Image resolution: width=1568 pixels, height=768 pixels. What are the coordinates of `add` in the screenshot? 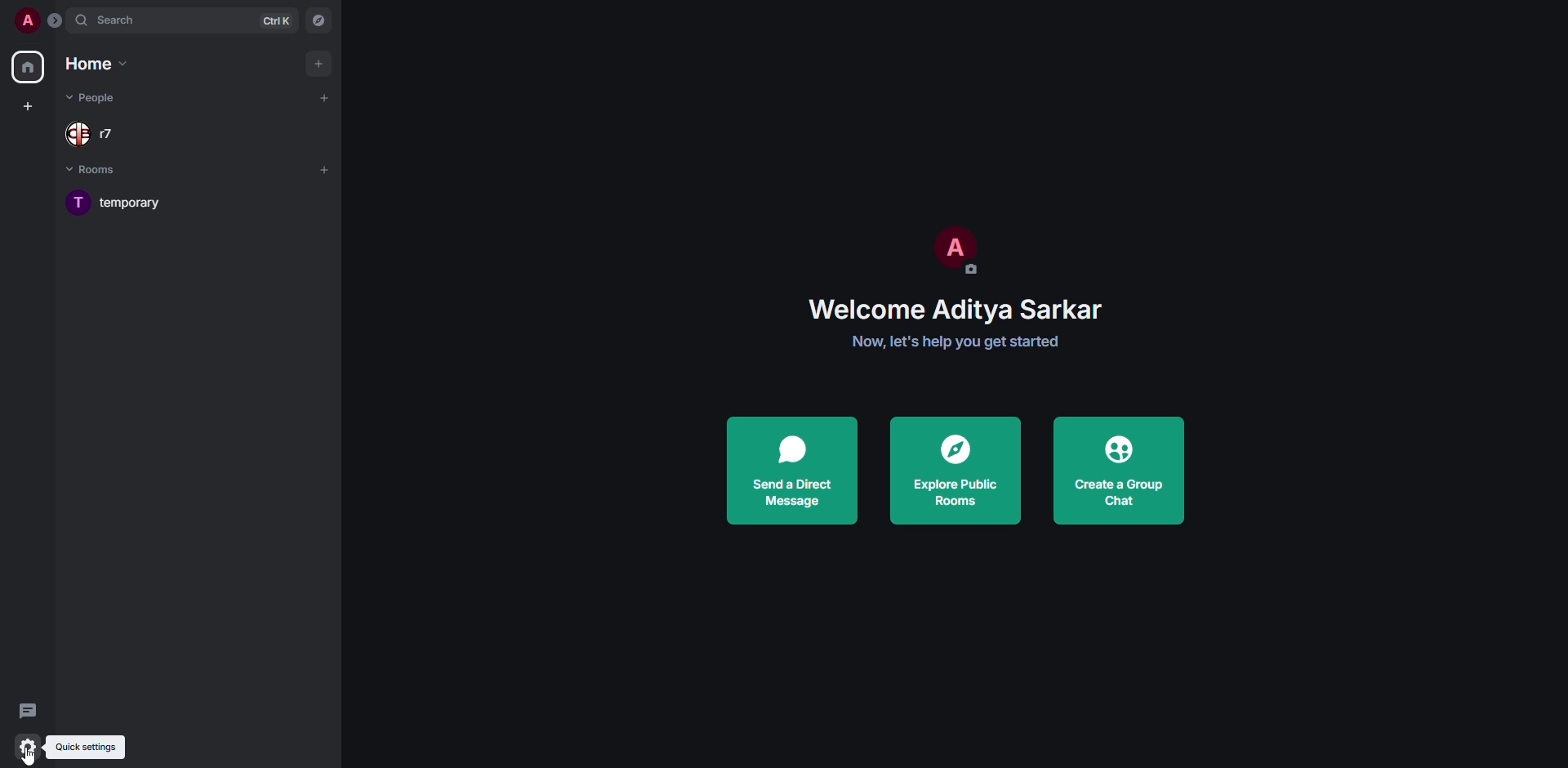 It's located at (323, 170).